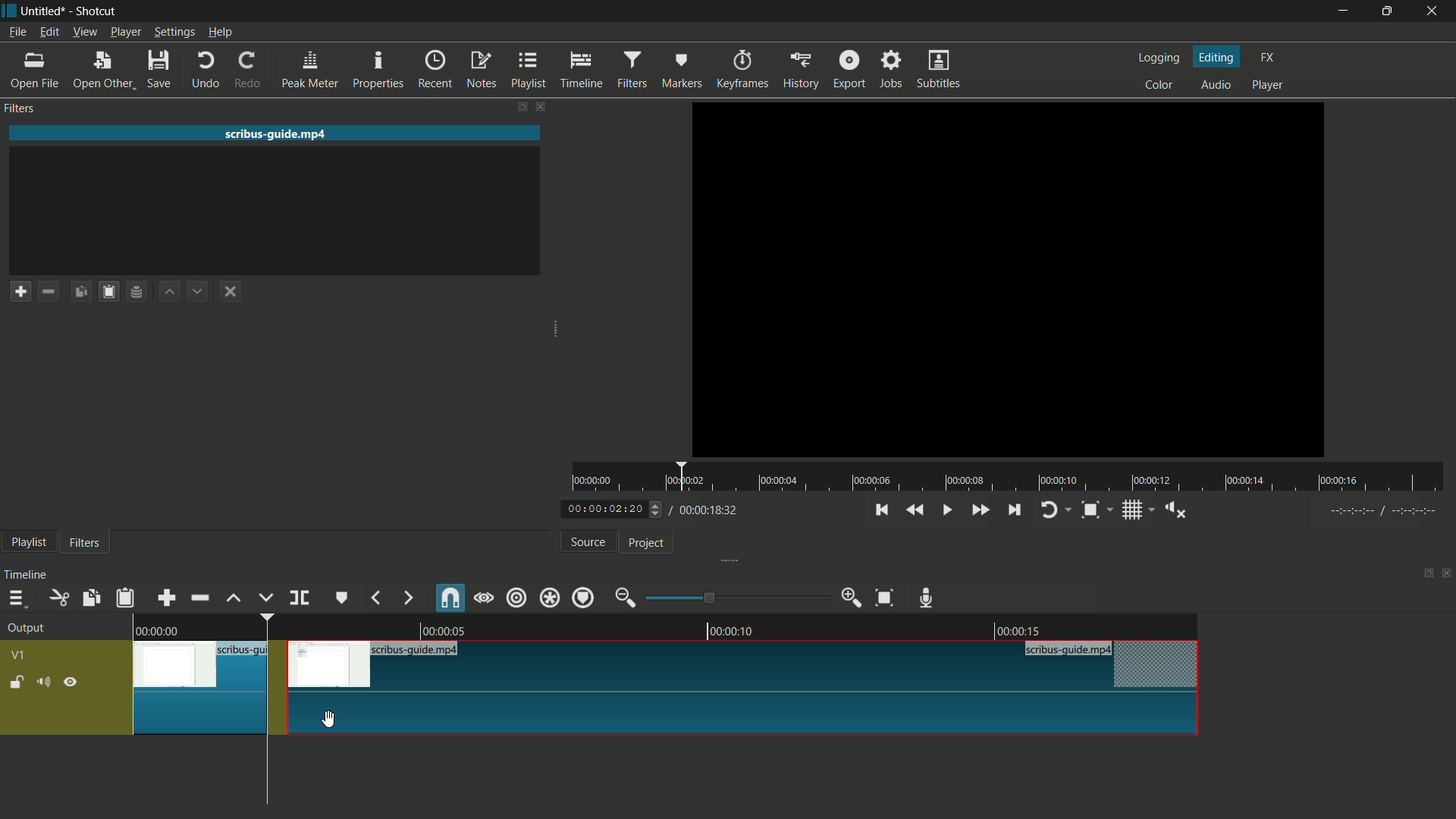 This screenshot has height=819, width=1456. I want to click on hide, so click(71, 683).